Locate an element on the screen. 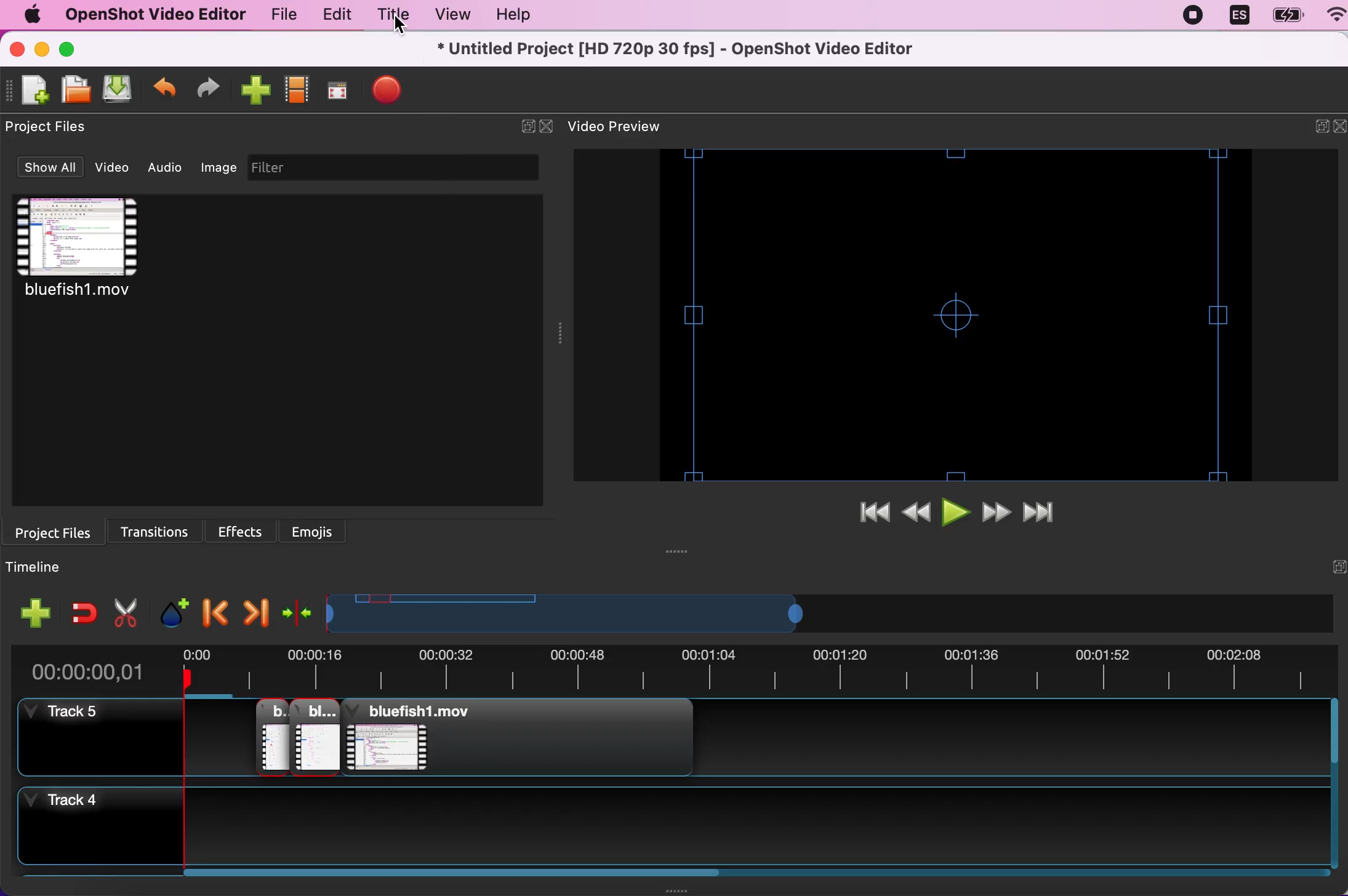 The width and height of the screenshot is (1348, 896). show profile is located at coordinates (295, 94).